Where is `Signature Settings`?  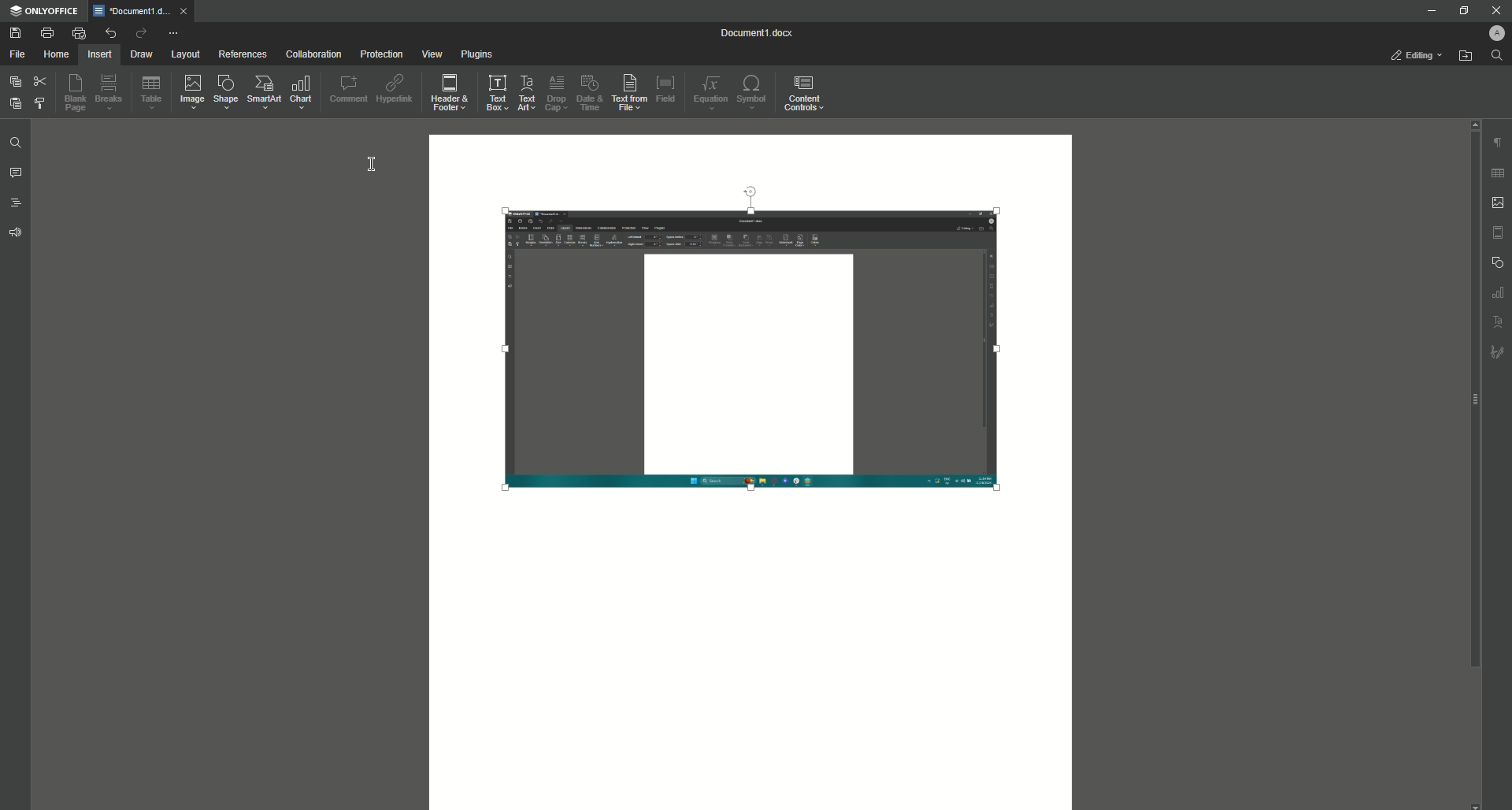 Signature Settings is located at coordinates (1498, 351).